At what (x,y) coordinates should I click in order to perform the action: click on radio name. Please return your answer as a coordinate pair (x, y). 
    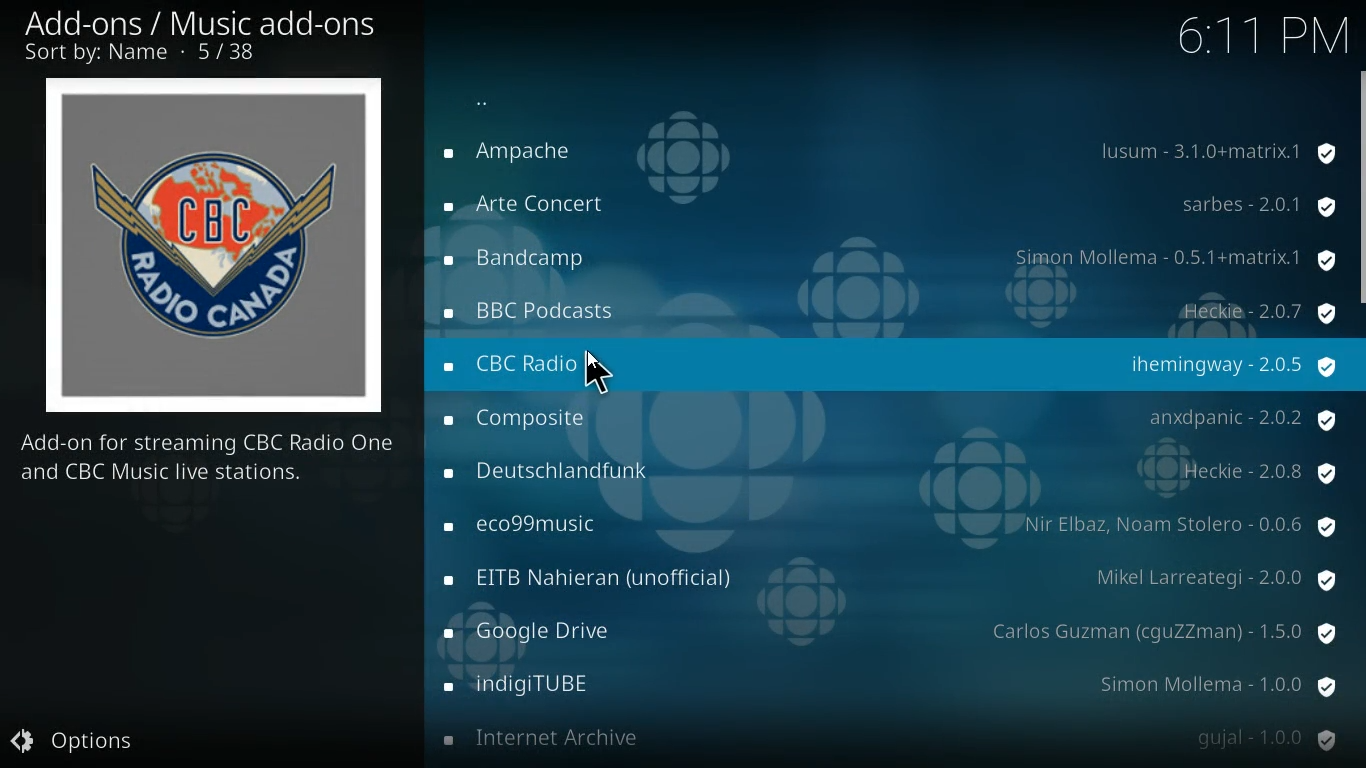
    Looking at the image, I should click on (561, 470).